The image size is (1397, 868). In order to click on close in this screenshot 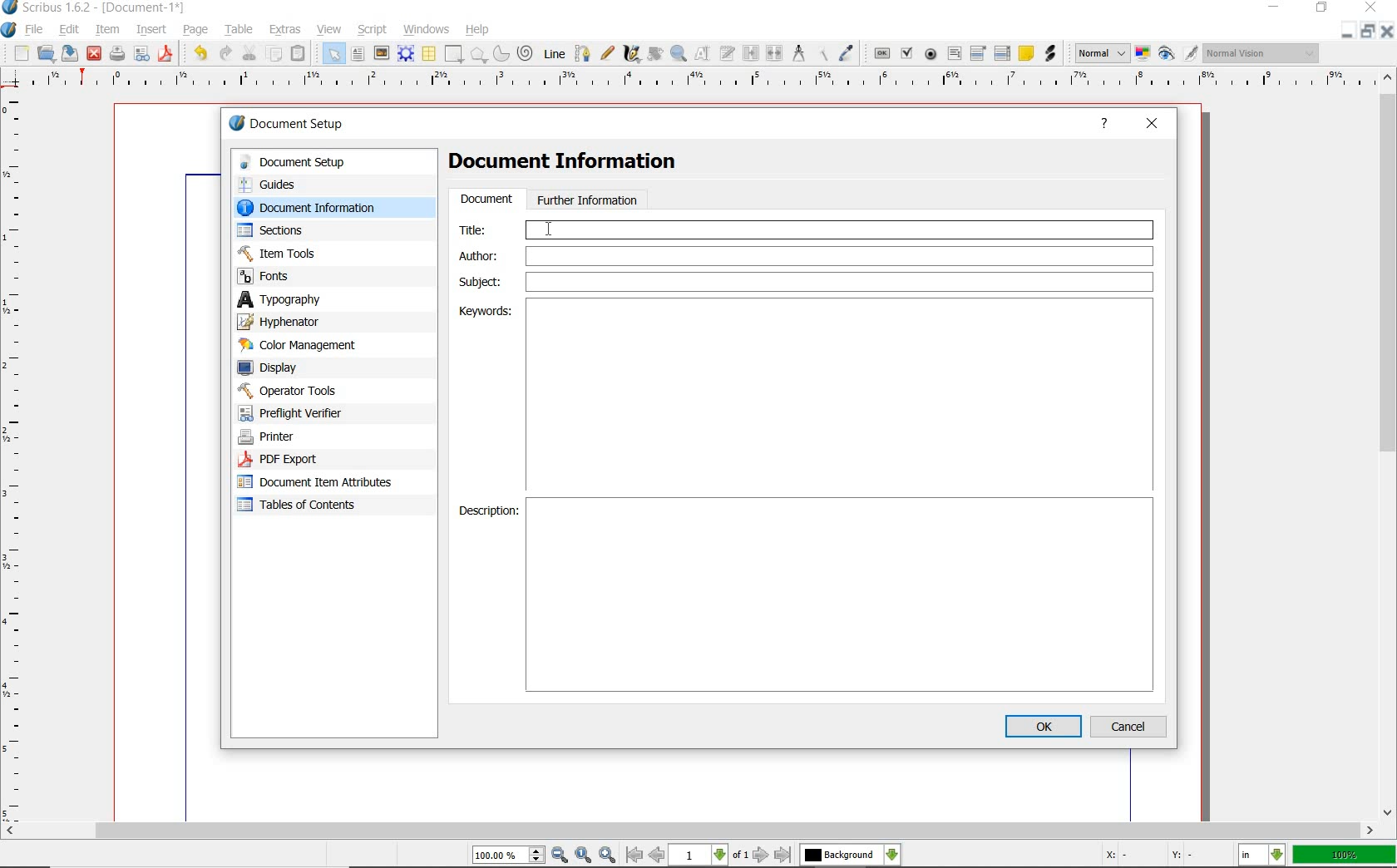, I will do `click(1153, 125)`.